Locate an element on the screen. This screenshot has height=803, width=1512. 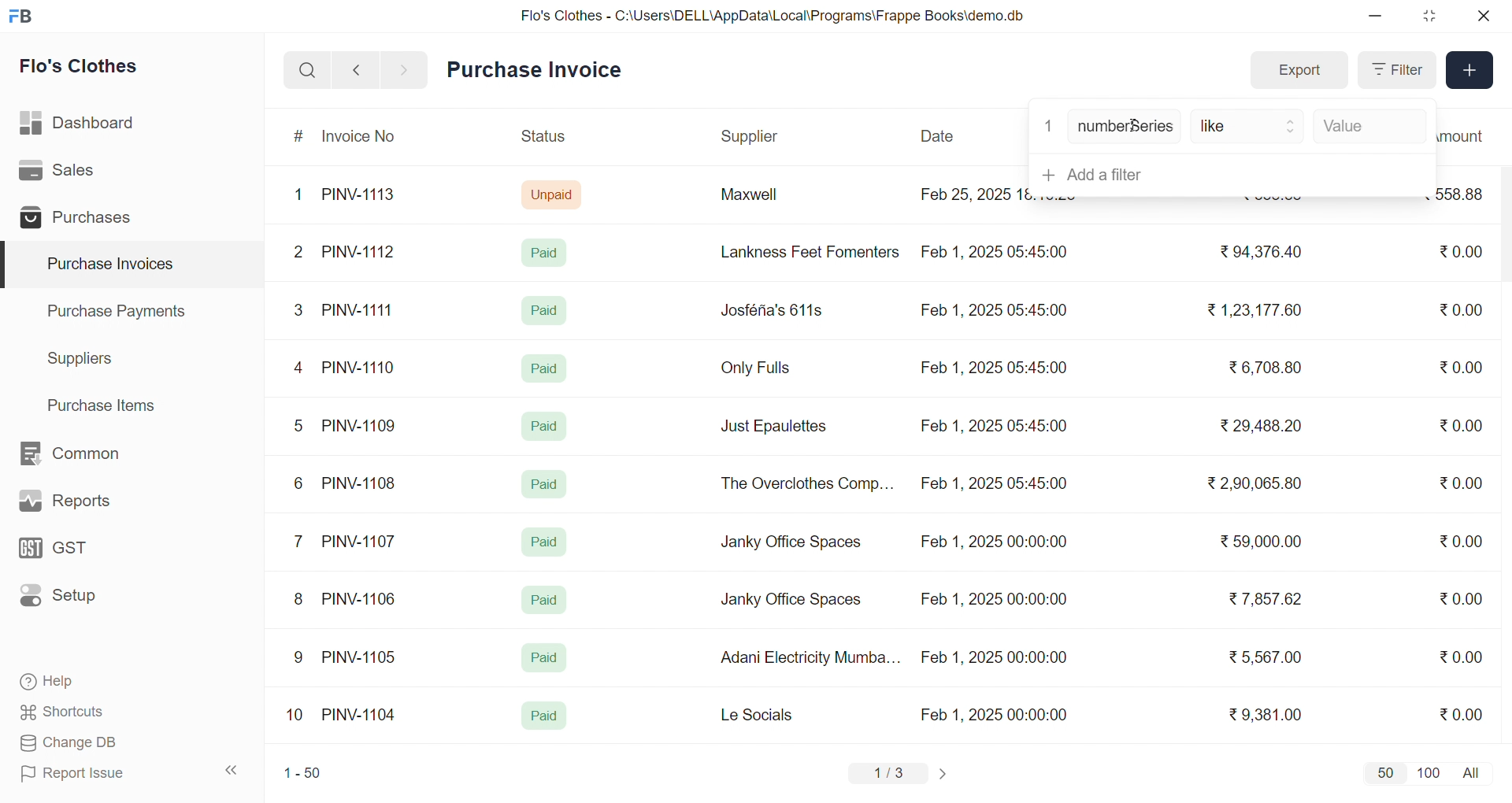
PINV-1111 is located at coordinates (359, 309).